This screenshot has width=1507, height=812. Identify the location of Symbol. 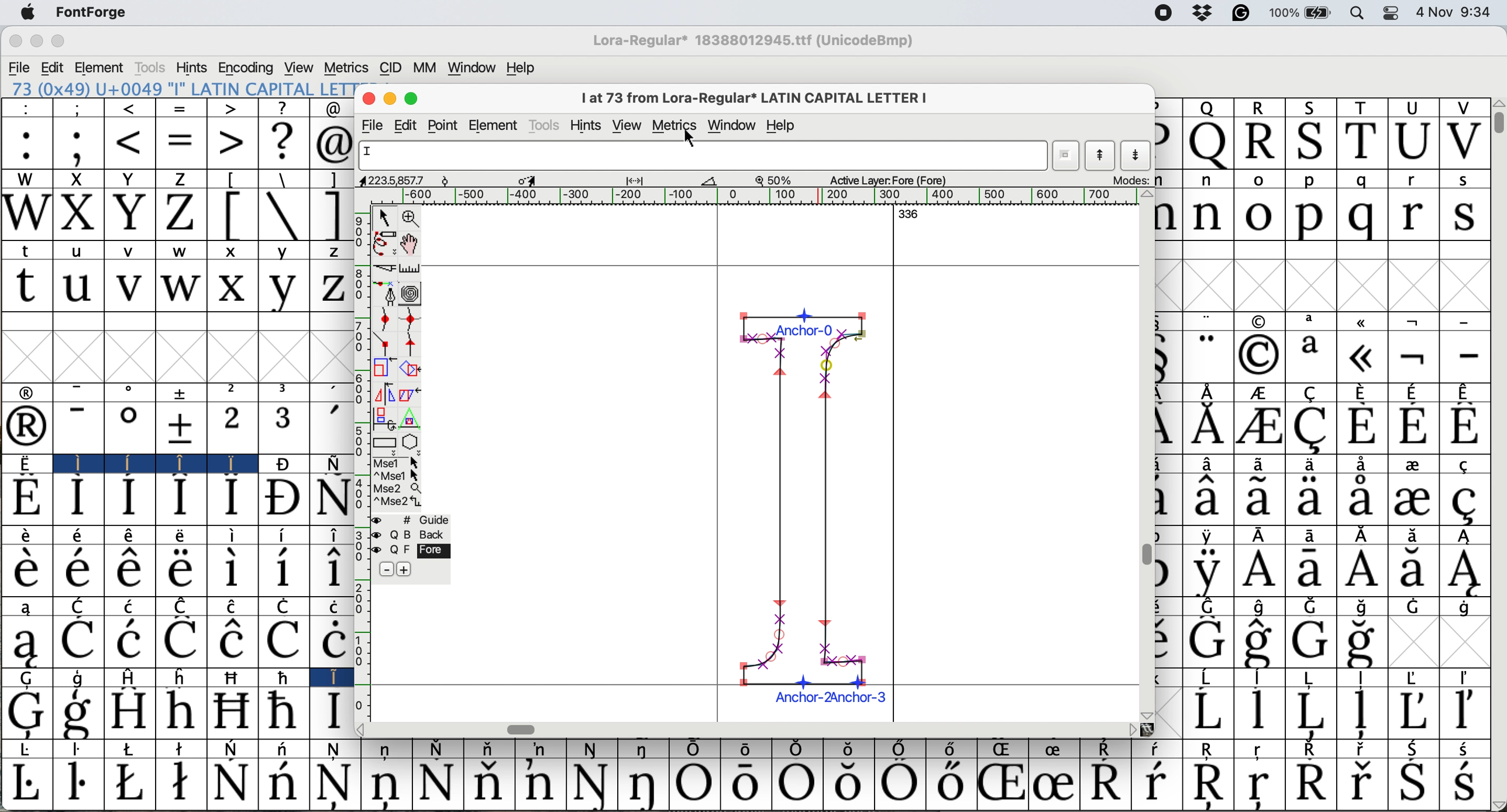
(229, 782).